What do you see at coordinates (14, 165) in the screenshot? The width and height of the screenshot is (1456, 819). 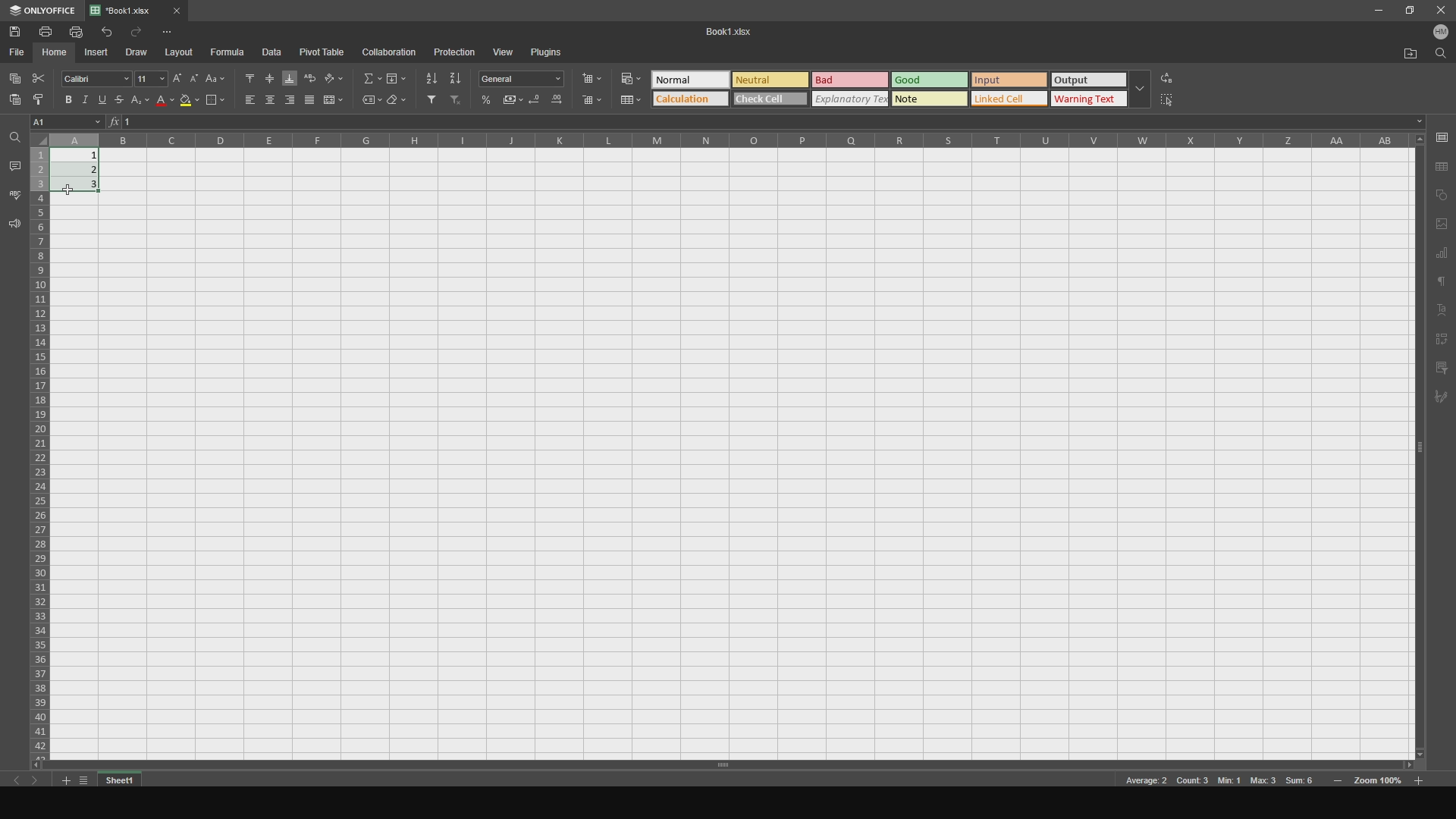 I see `comments` at bounding box center [14, 165].